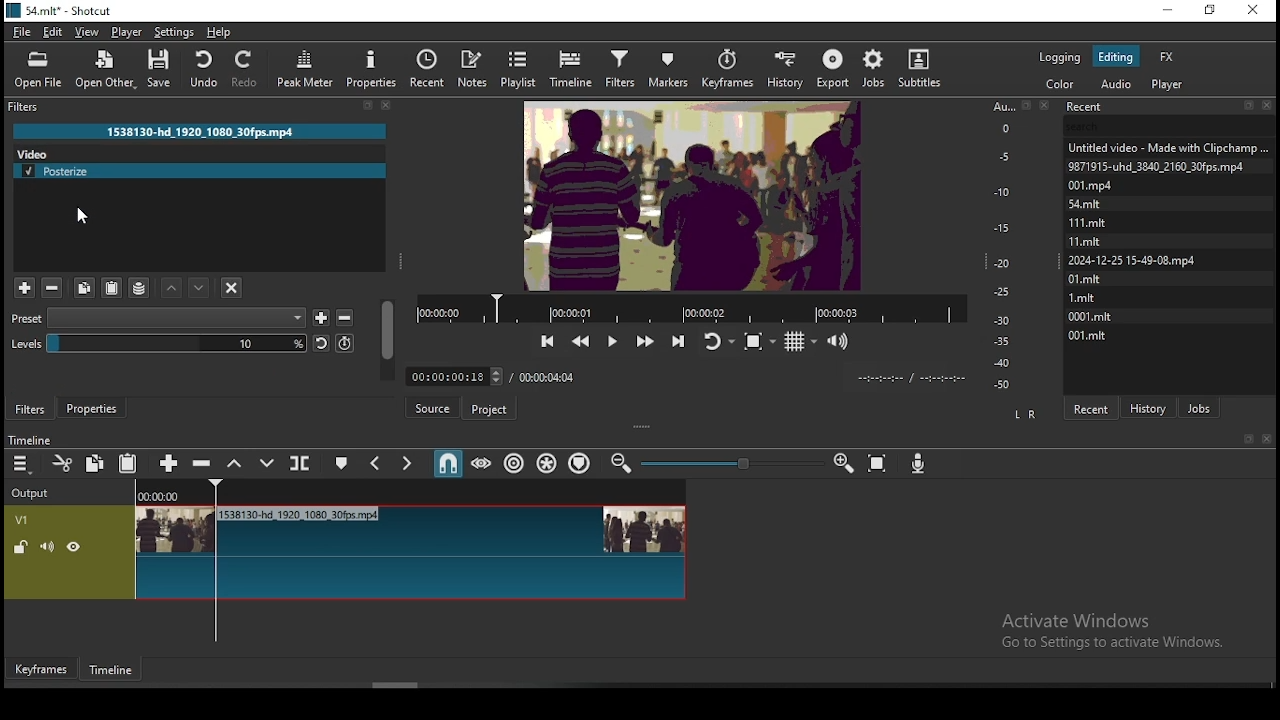 This screenshot has height=720, width=1280. What do you see at coordinates (1118, 87) in the screenshot?
I see `audio` at bounding box center [1118, 87].